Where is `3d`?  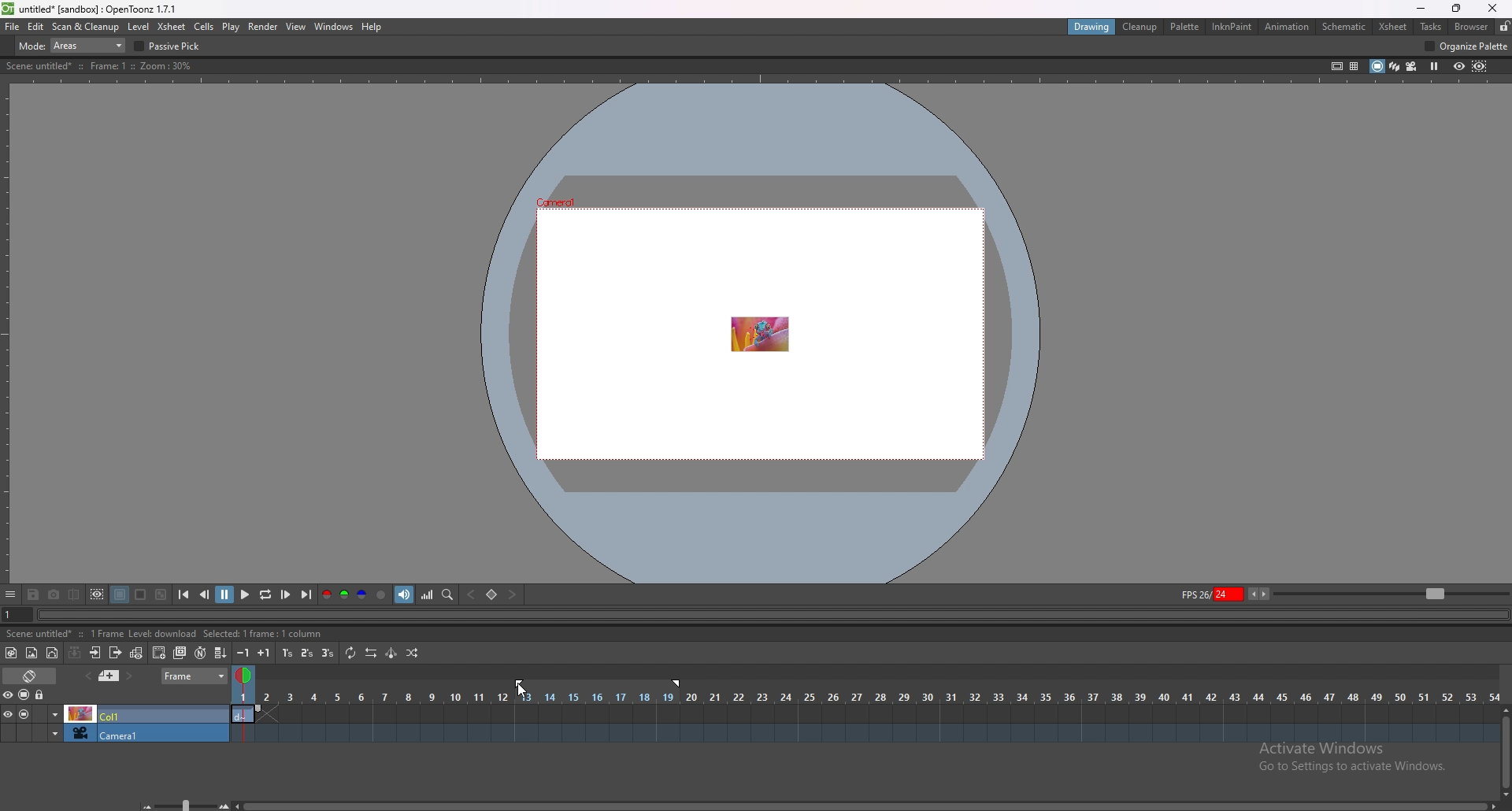 3d is located at coordinates (1395, 65).